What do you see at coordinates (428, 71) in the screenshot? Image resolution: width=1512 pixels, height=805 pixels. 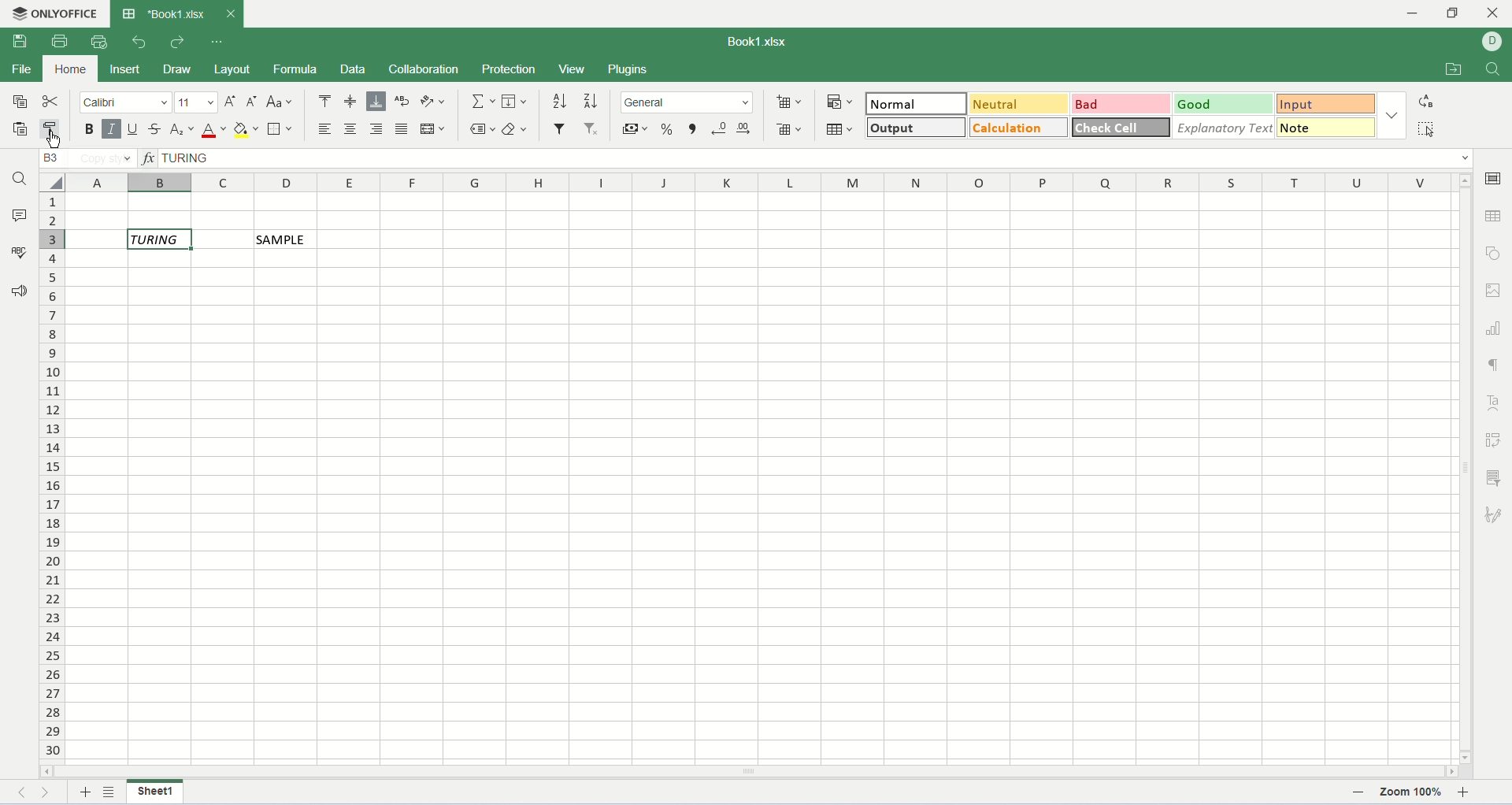 I see `collaboration` at bounding box center [428, 71].